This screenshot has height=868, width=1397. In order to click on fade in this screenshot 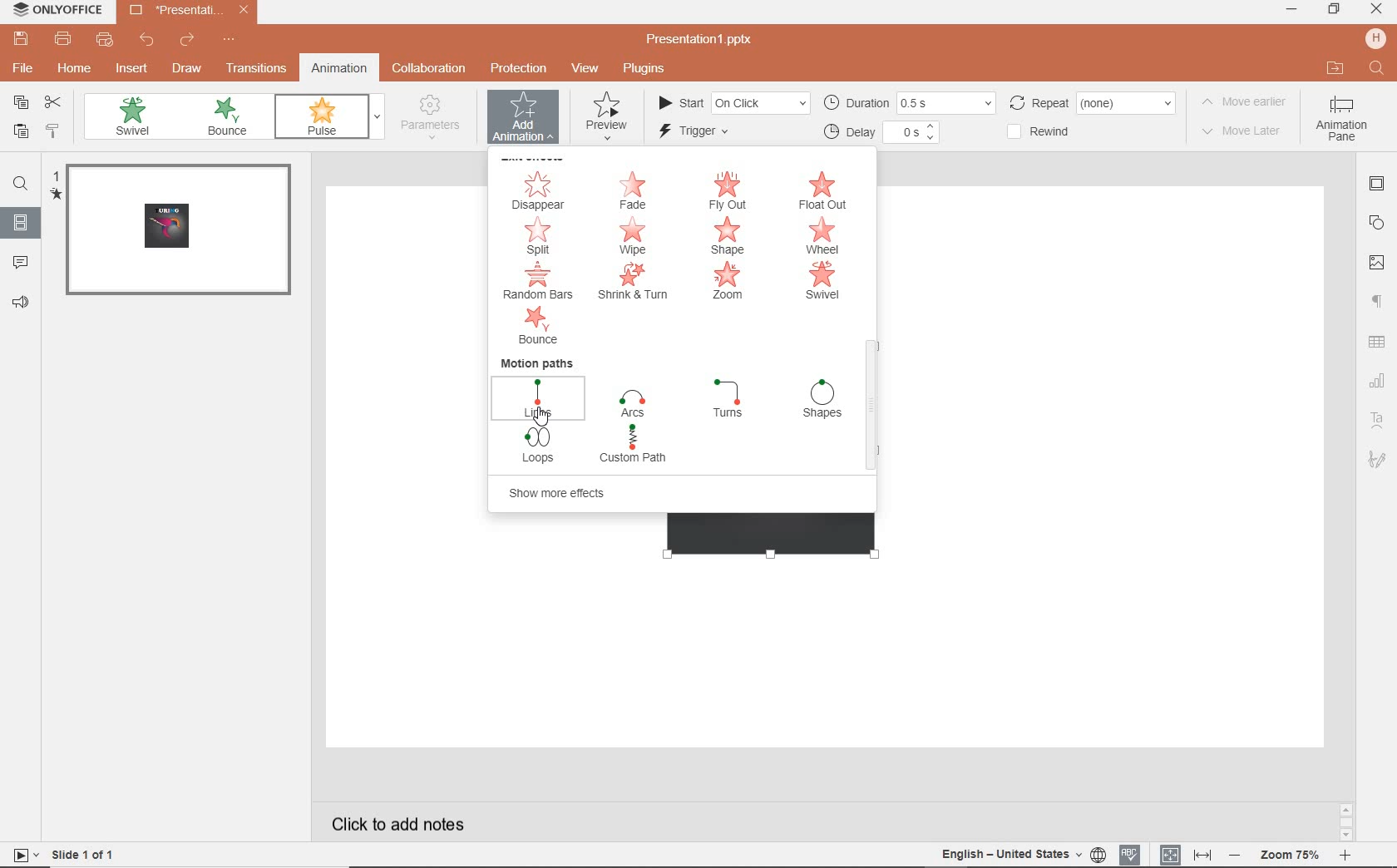, I will do `click(633, 191)`.